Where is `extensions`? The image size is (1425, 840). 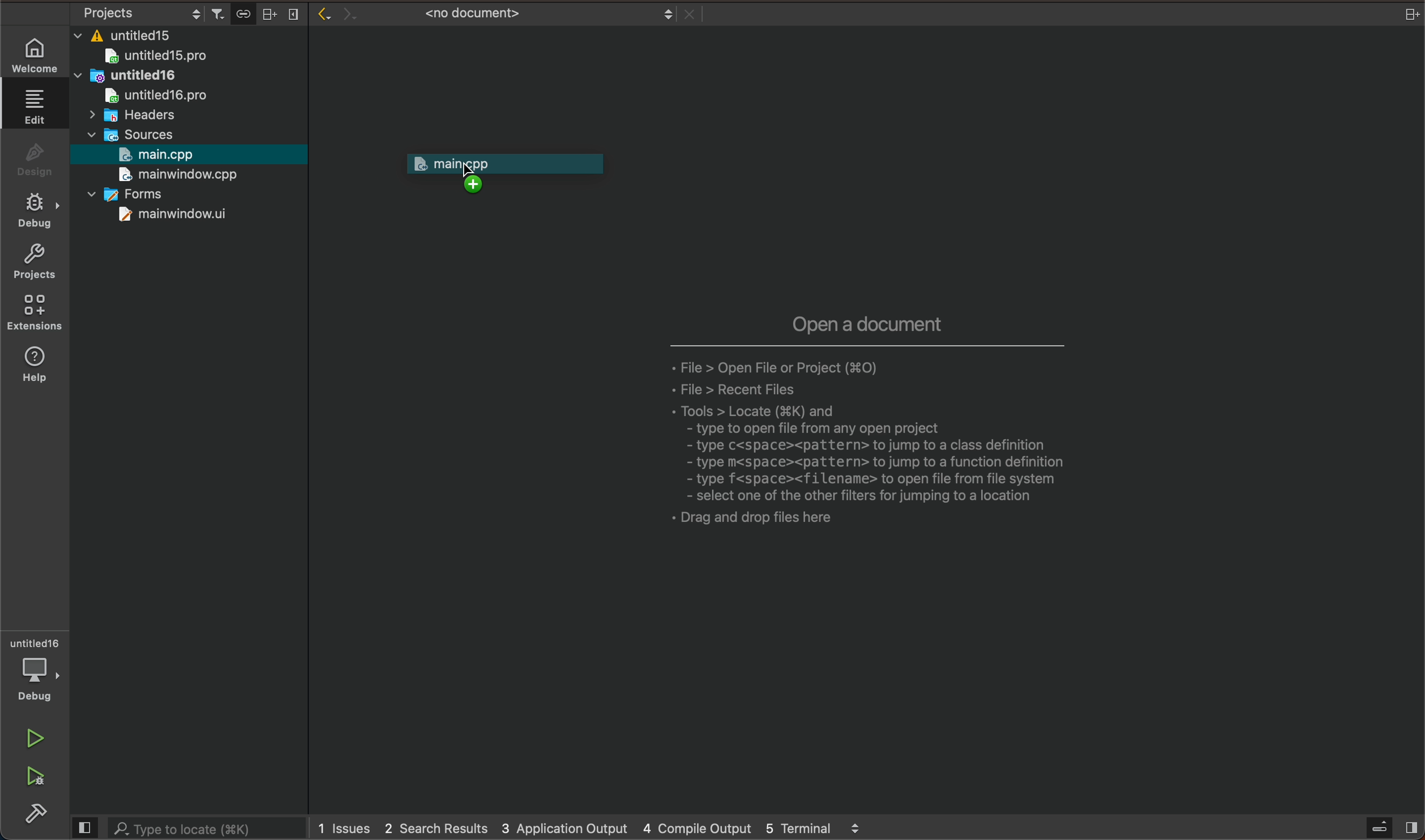 extensions is located at coordinates (35, 312).